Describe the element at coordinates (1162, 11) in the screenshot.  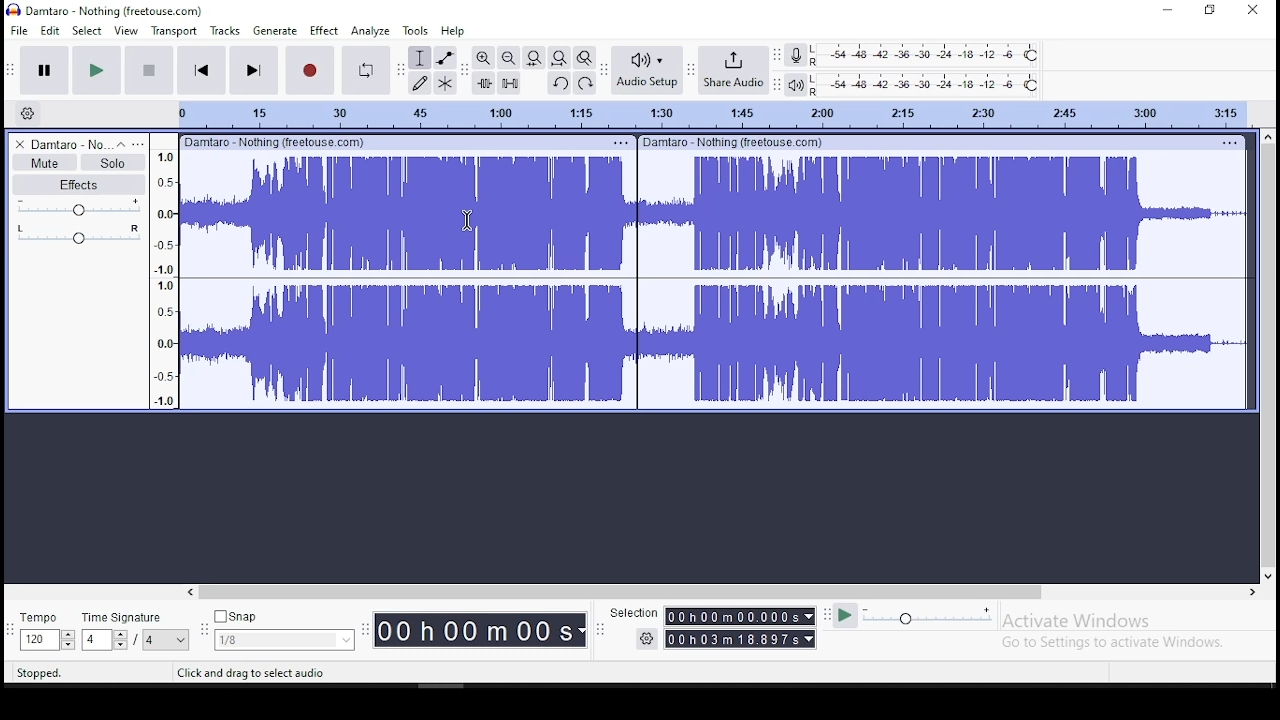
I see `minimize` at that location.